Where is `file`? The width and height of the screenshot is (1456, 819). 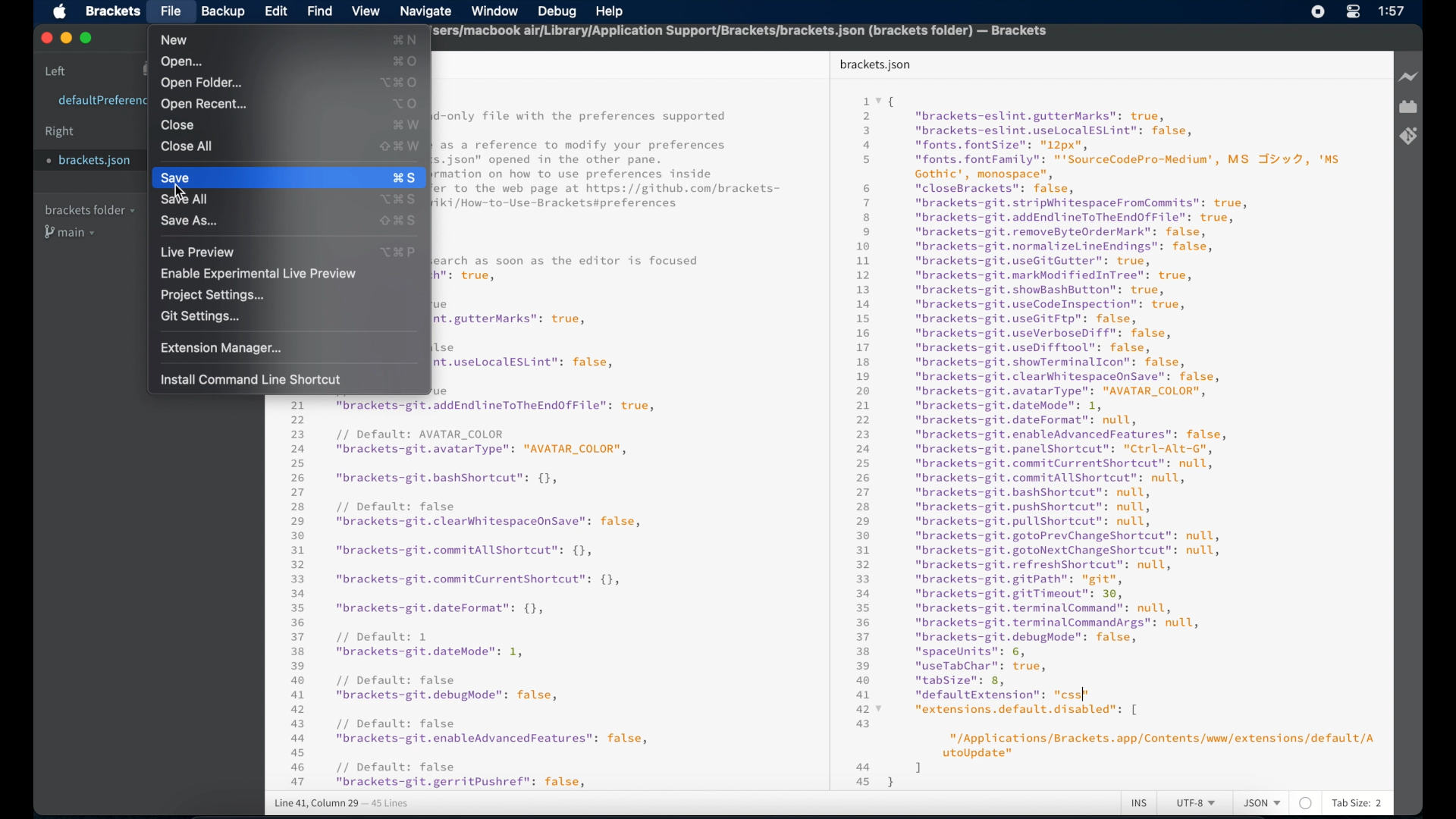 file is located at coordinates (171, 11).